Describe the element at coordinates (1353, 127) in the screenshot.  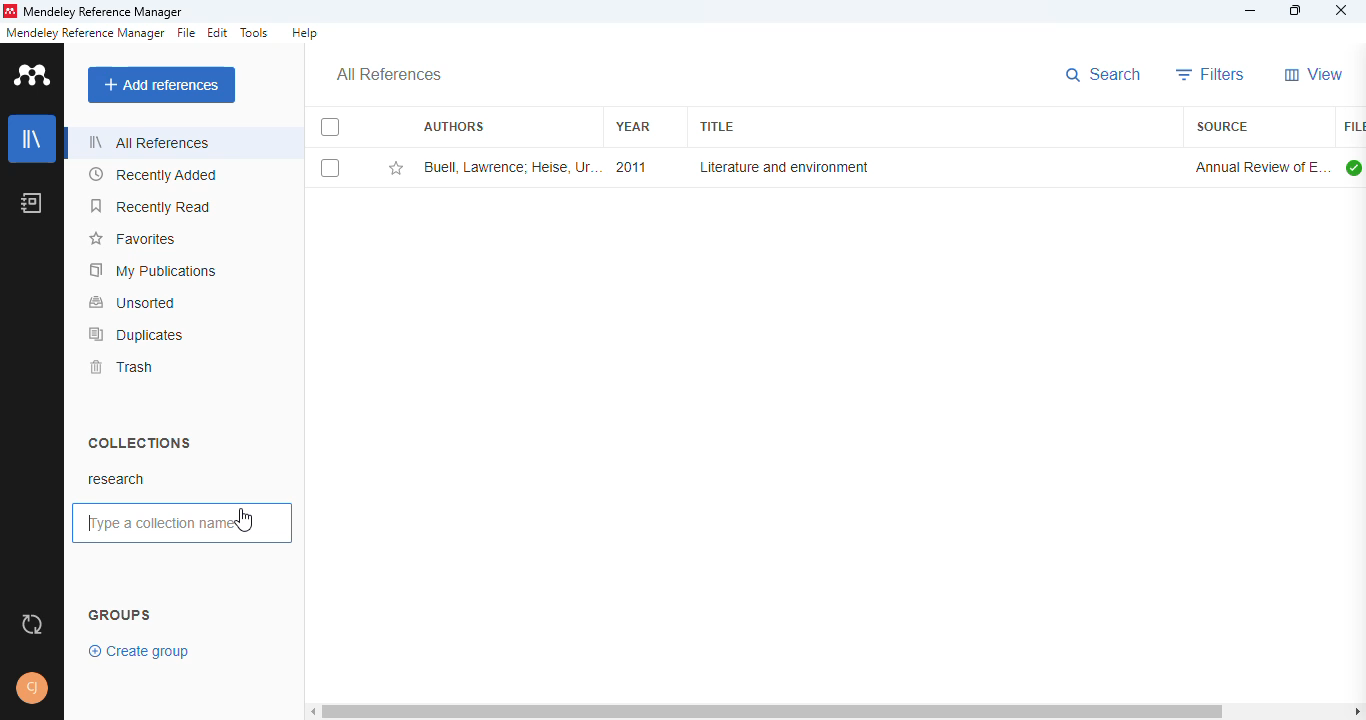
I see `file` at that location.